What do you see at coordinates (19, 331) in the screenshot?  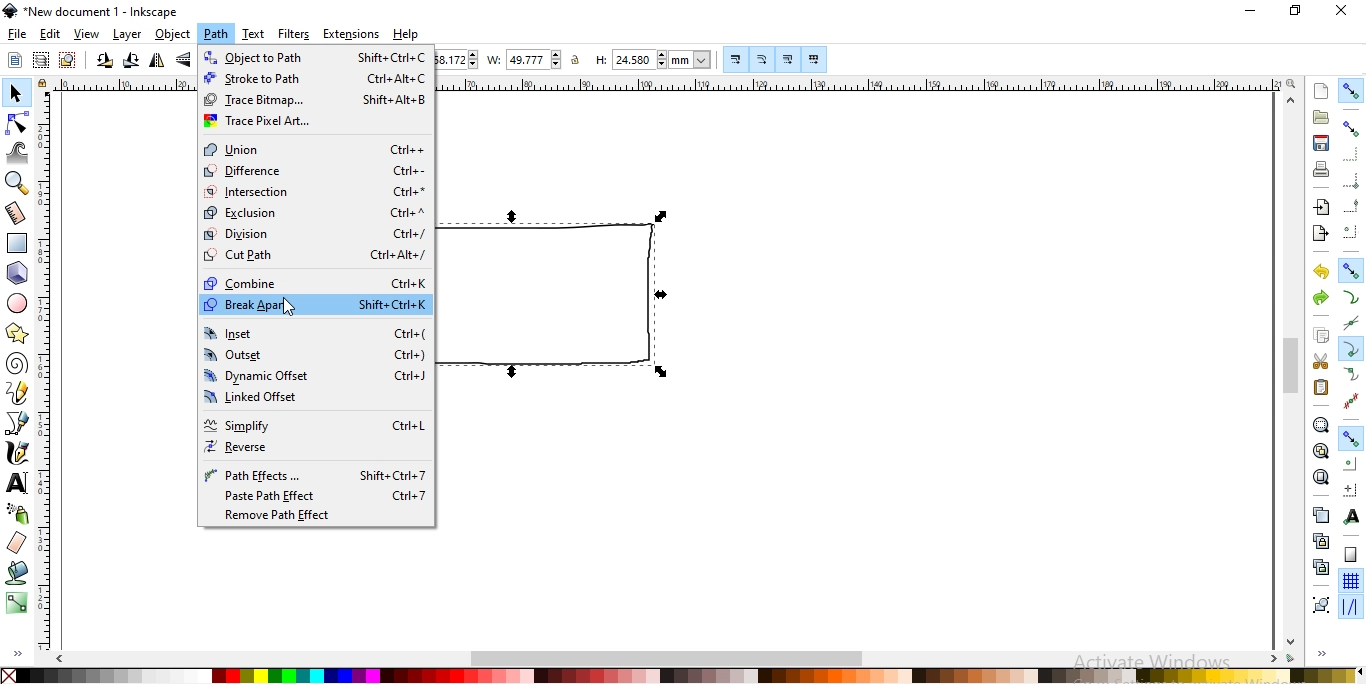 I see `create stars and polygons` at bounding box center [19, 331].